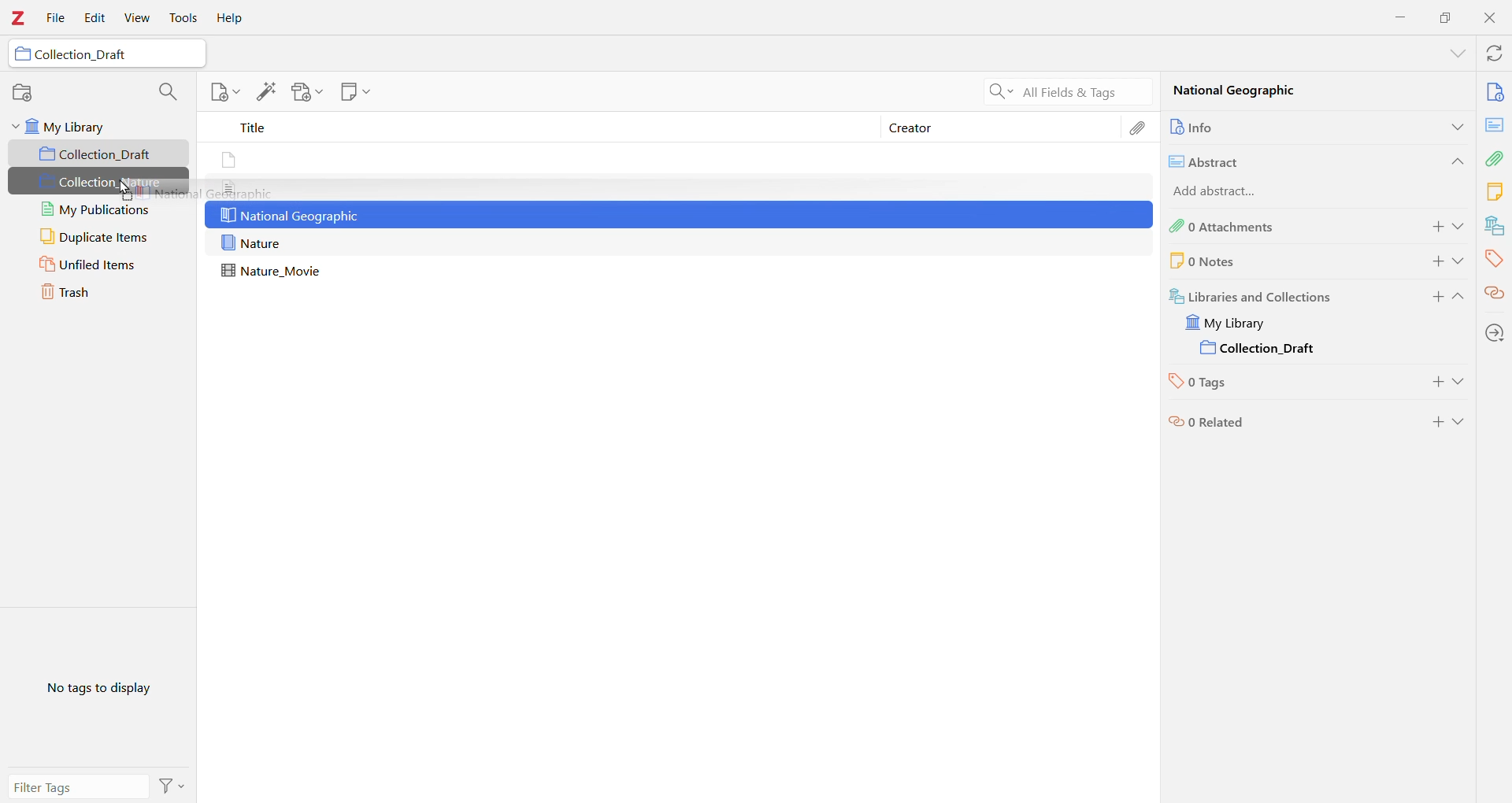  Describe the element at coordinates (172, 785) in the screenshot. I see `Actions` at that location.